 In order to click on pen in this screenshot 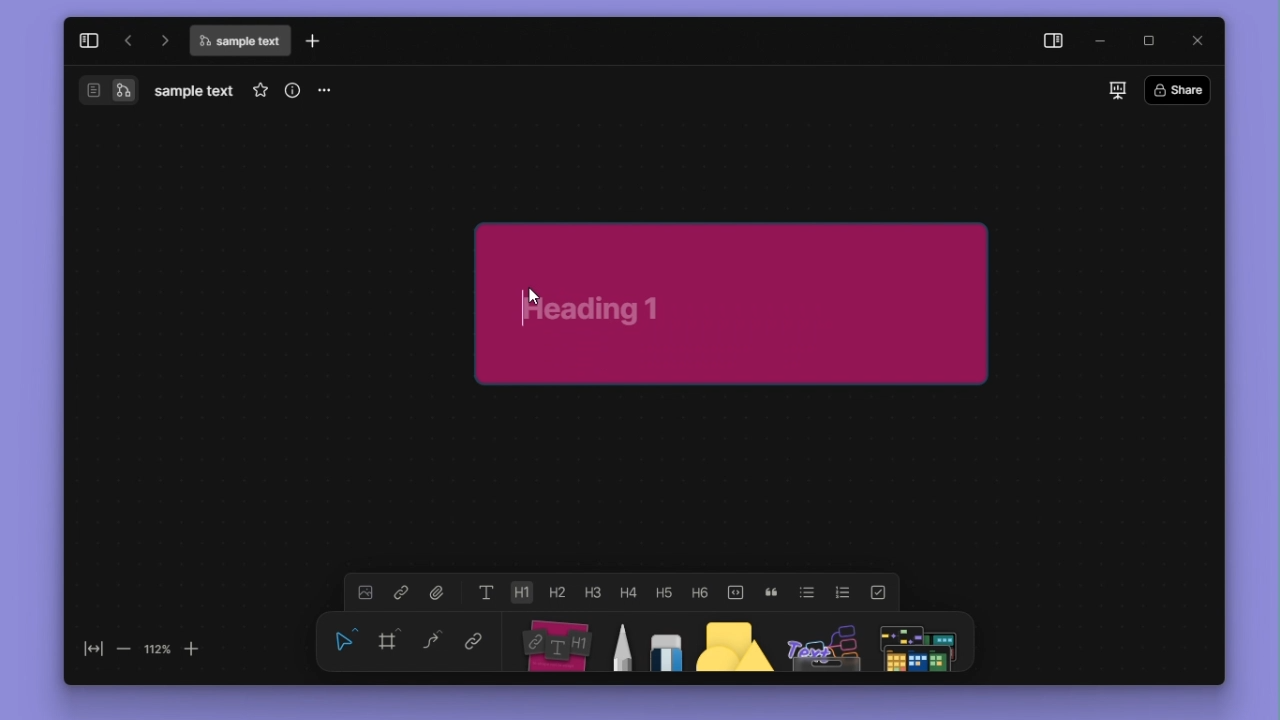, I will do `click(625, 642)`.